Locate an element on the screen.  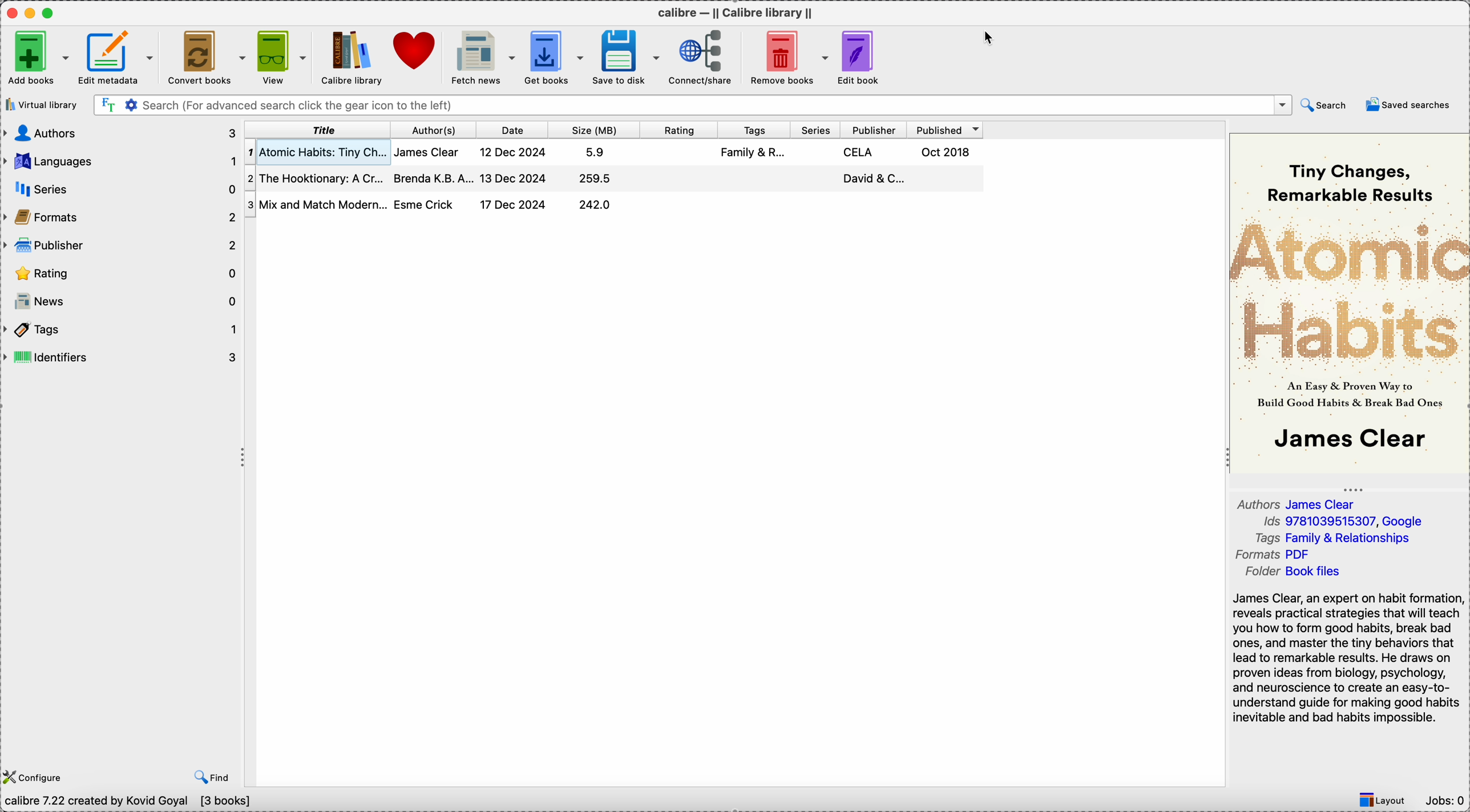
tags is located at coordinates (755, 129).